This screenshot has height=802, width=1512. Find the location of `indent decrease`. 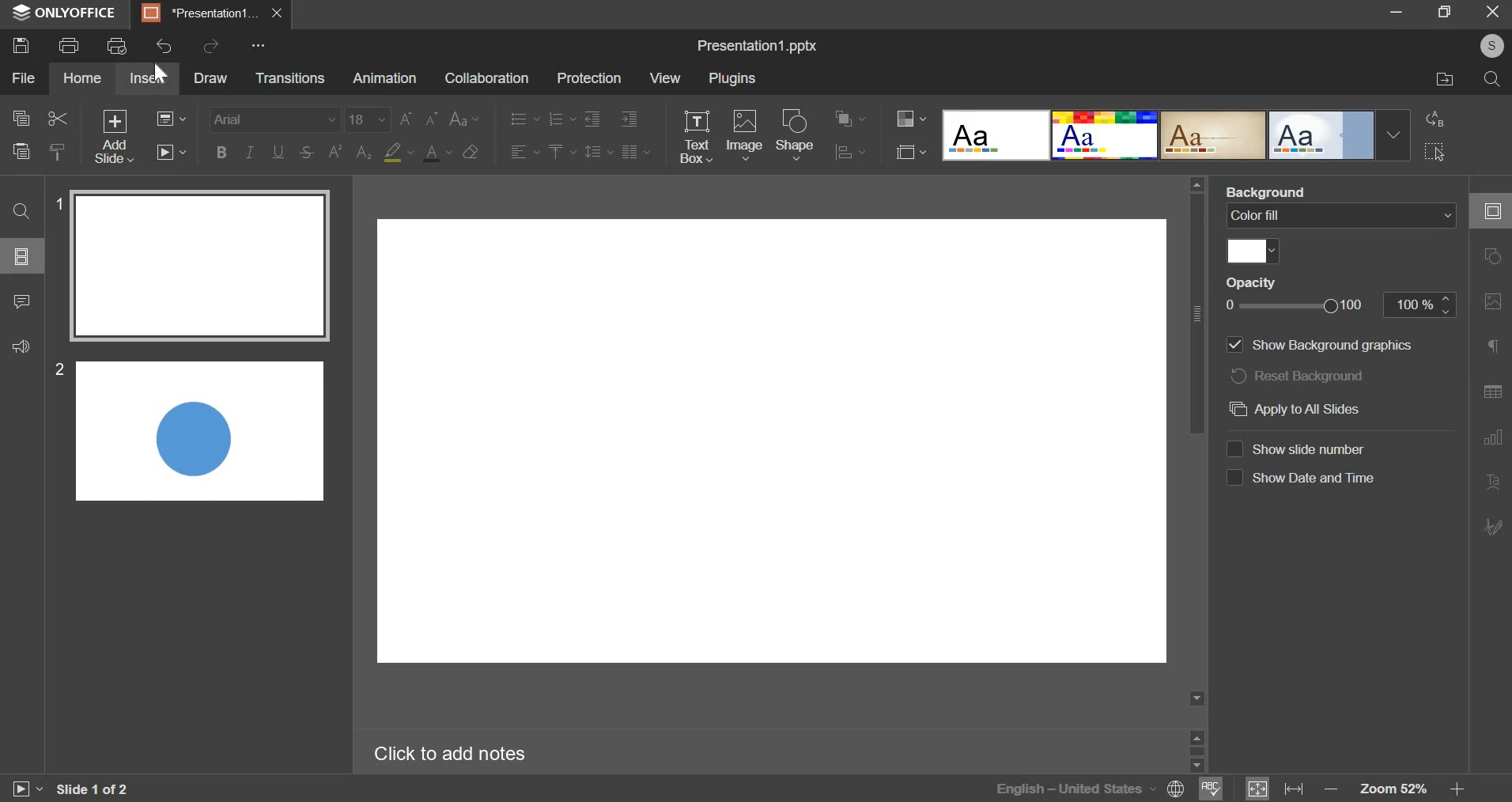

indent decrease is located at coordinates (629, 119).